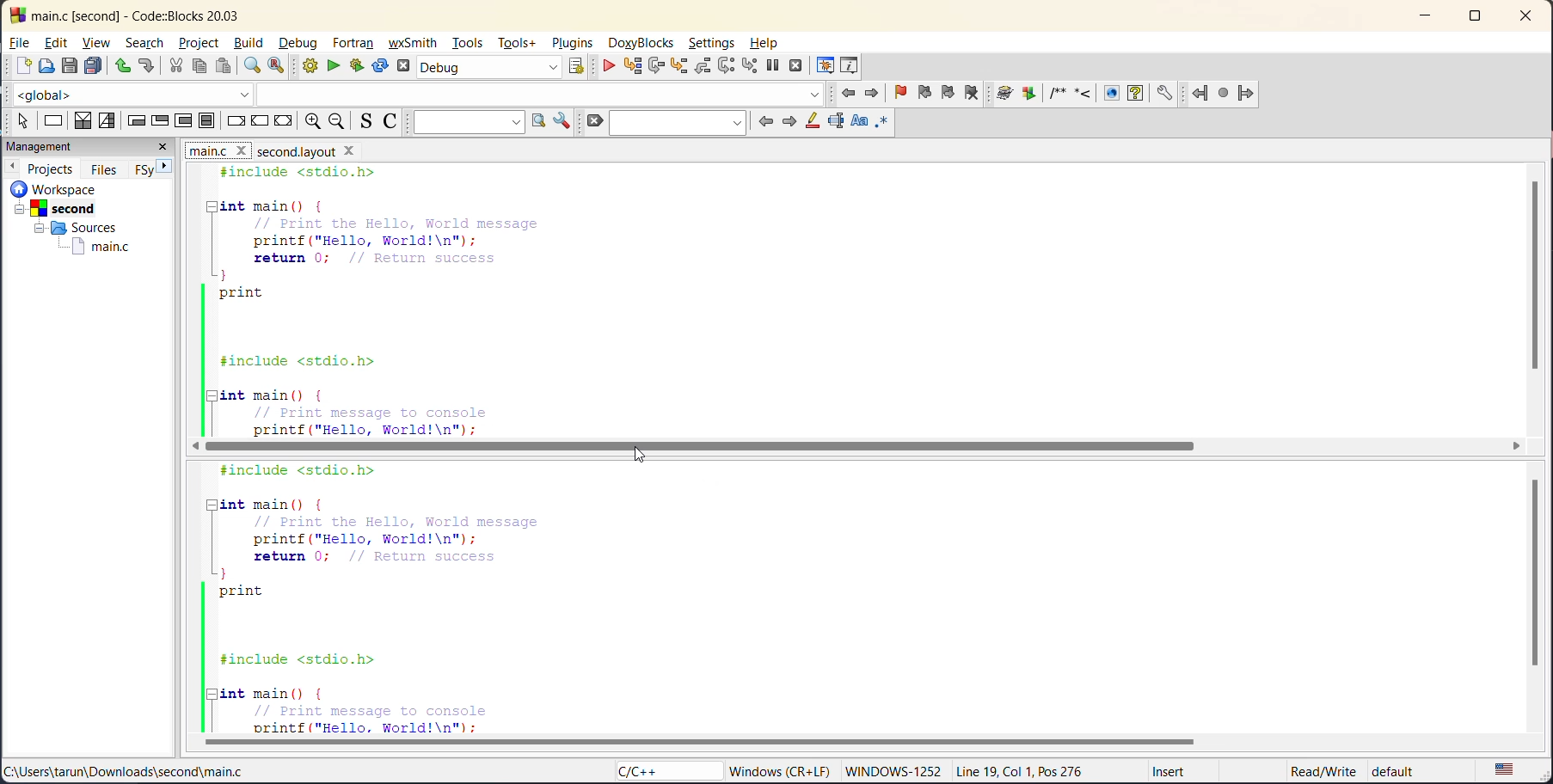 This screenshot has width=1553, height=784. I want to click on toggle bookmark, so click(903, 93).